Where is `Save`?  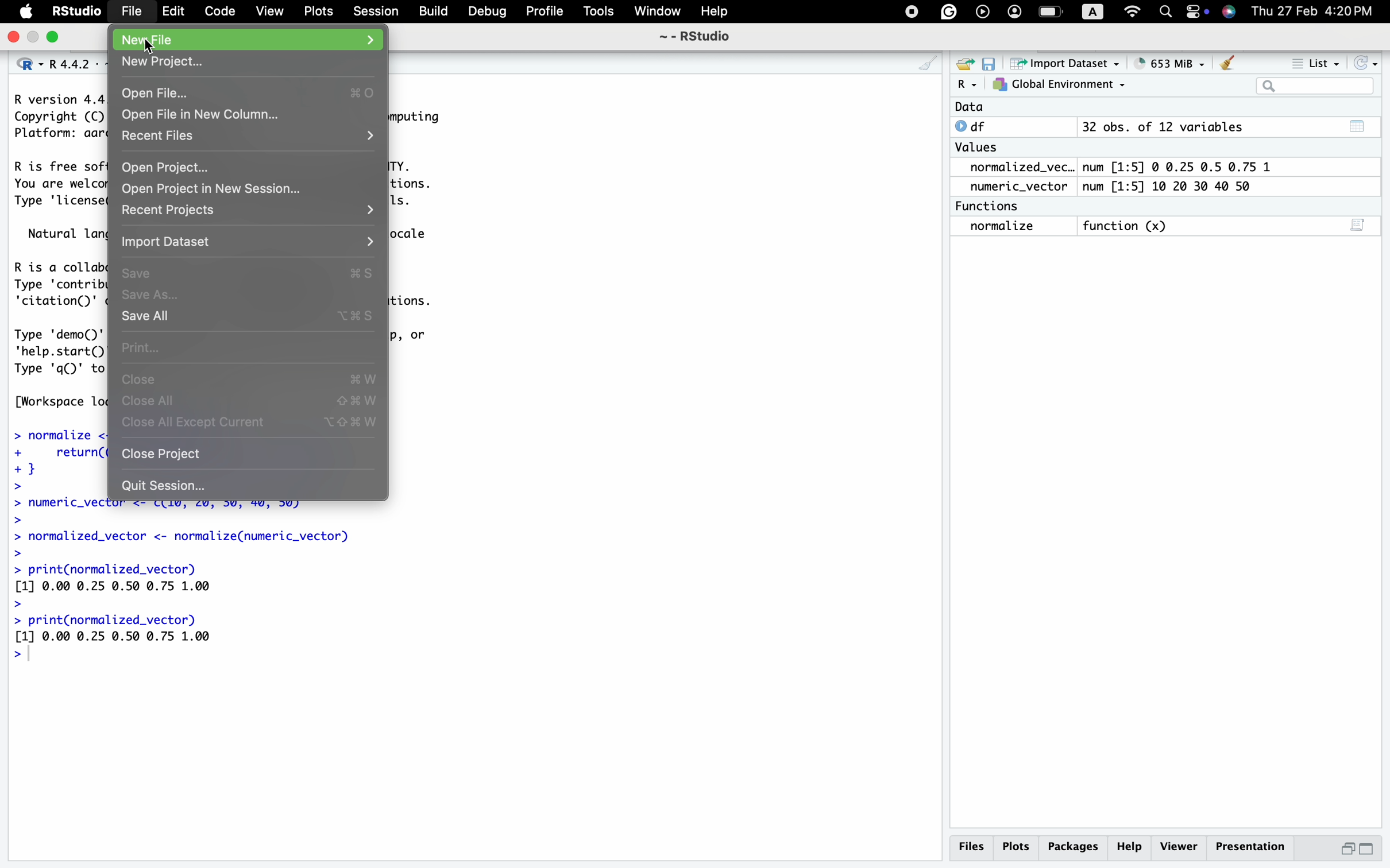 Save is located at coordinates (142, 274).